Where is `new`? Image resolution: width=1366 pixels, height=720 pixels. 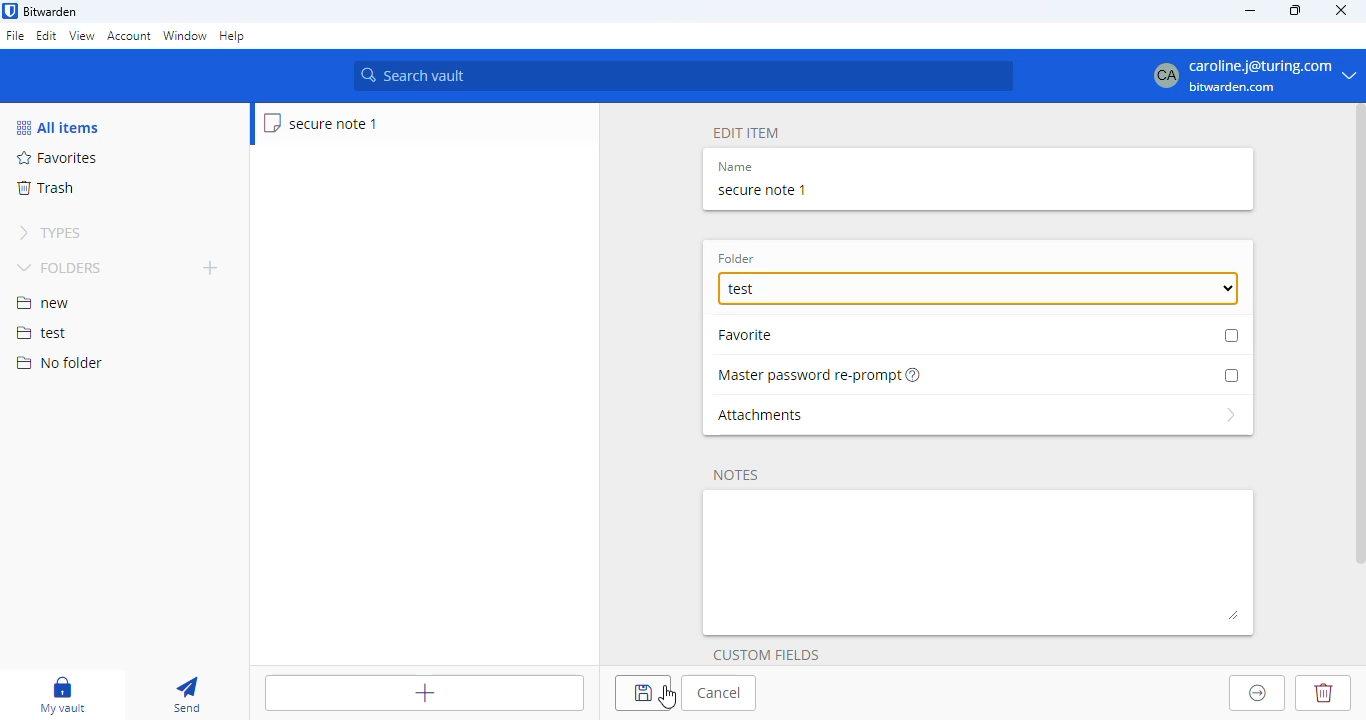 new is located at coordinates (43, 303).